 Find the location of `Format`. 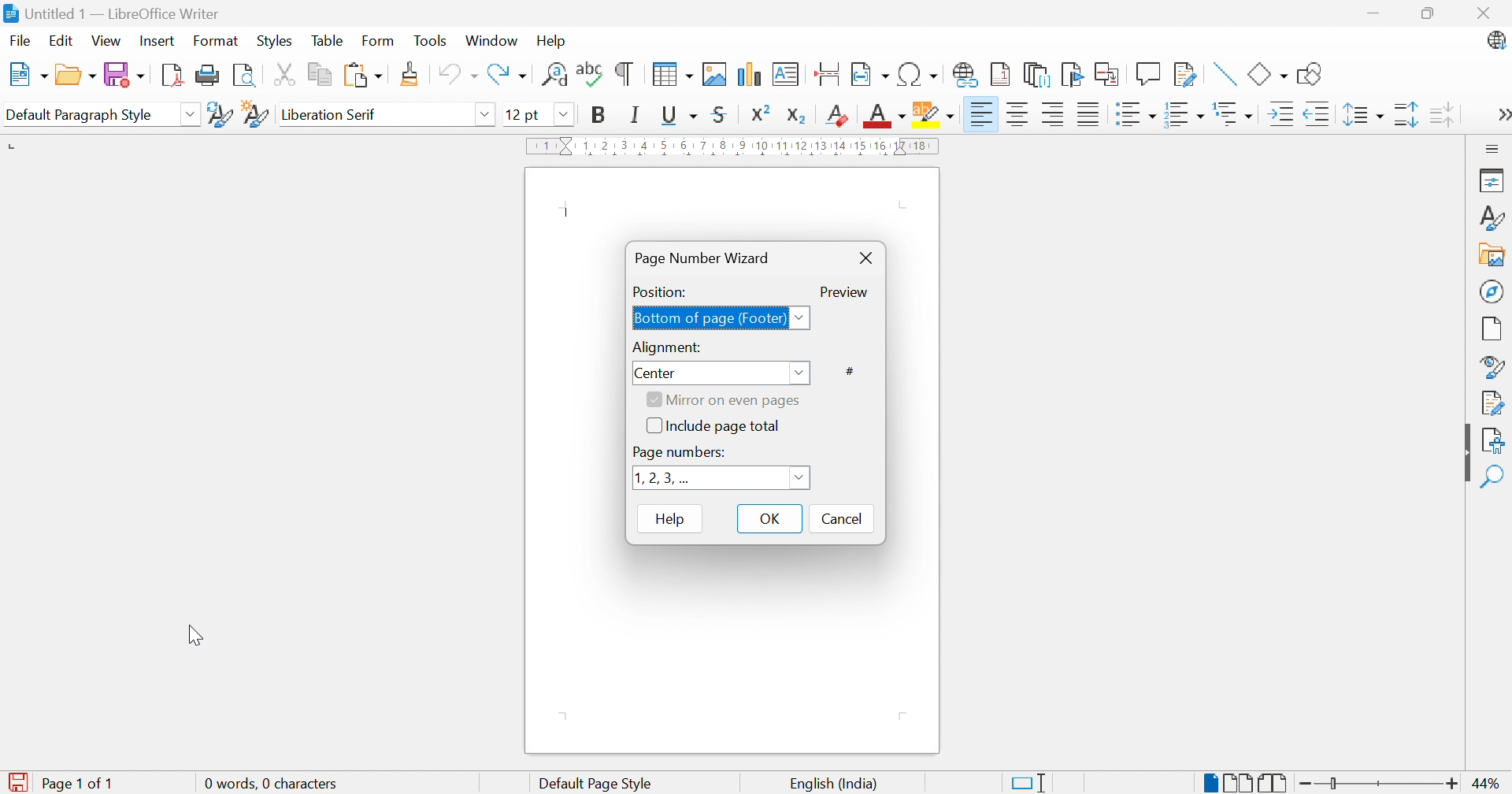

Format is located at coordinates (213, 41).